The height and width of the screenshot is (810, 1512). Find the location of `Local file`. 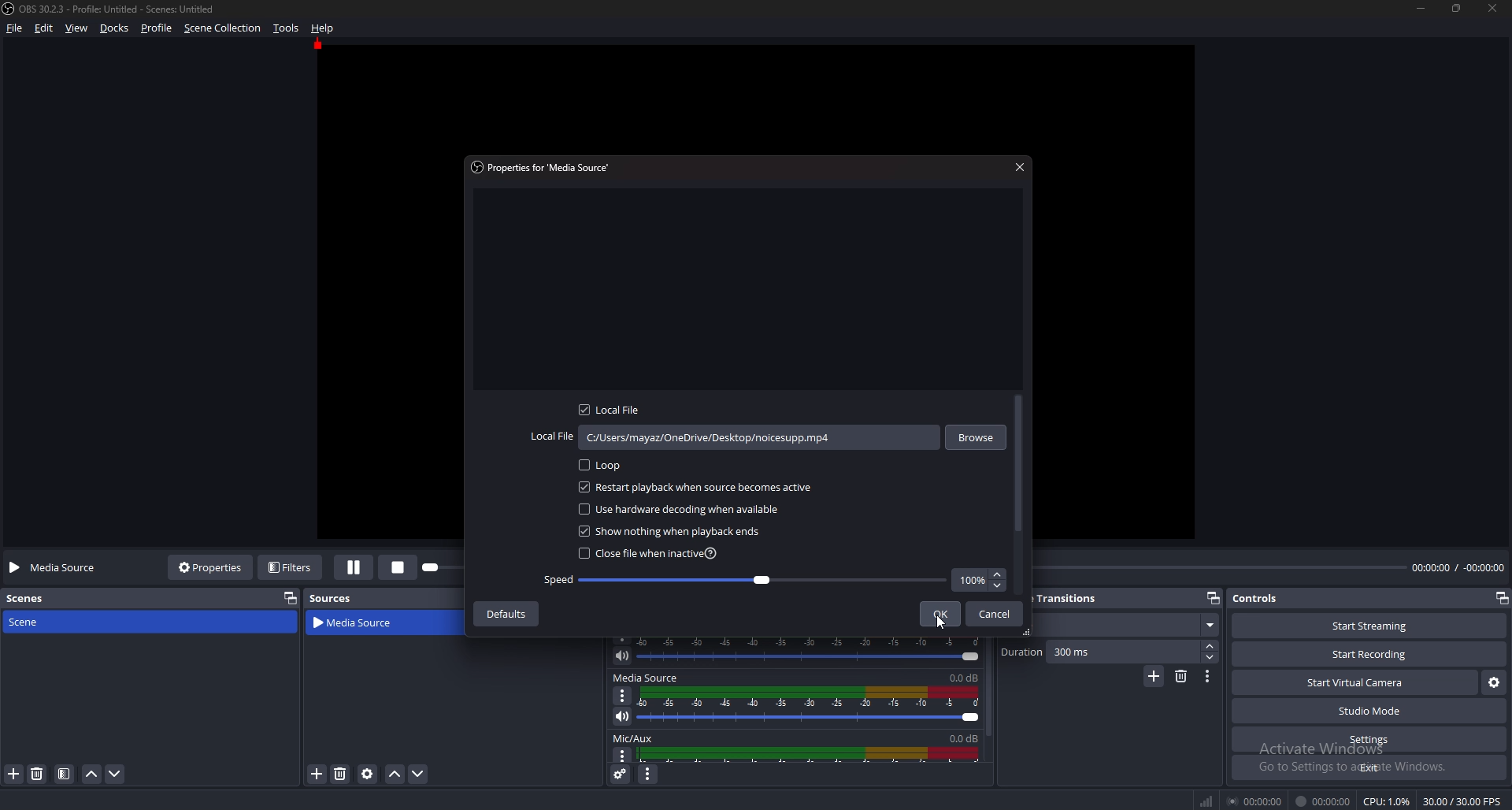

Local file is located at coordinates (734, 438).